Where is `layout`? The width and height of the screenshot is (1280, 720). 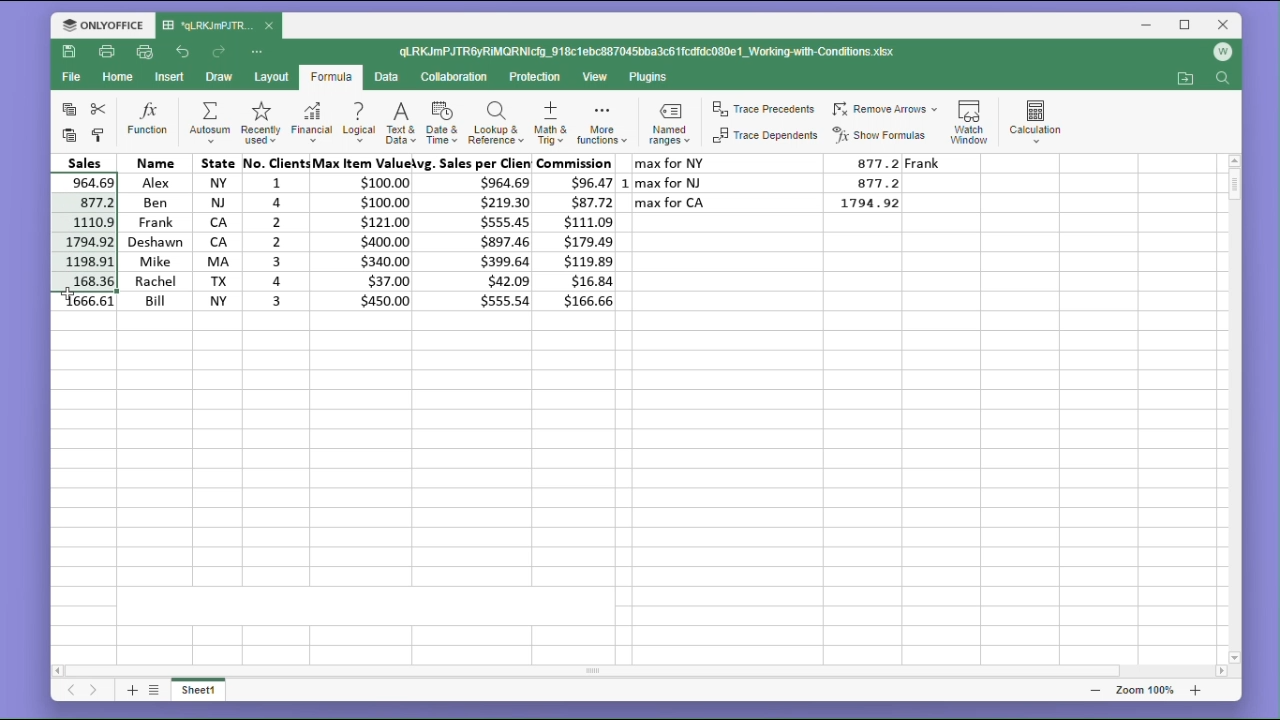
layout is located at coordinates (270, 78).